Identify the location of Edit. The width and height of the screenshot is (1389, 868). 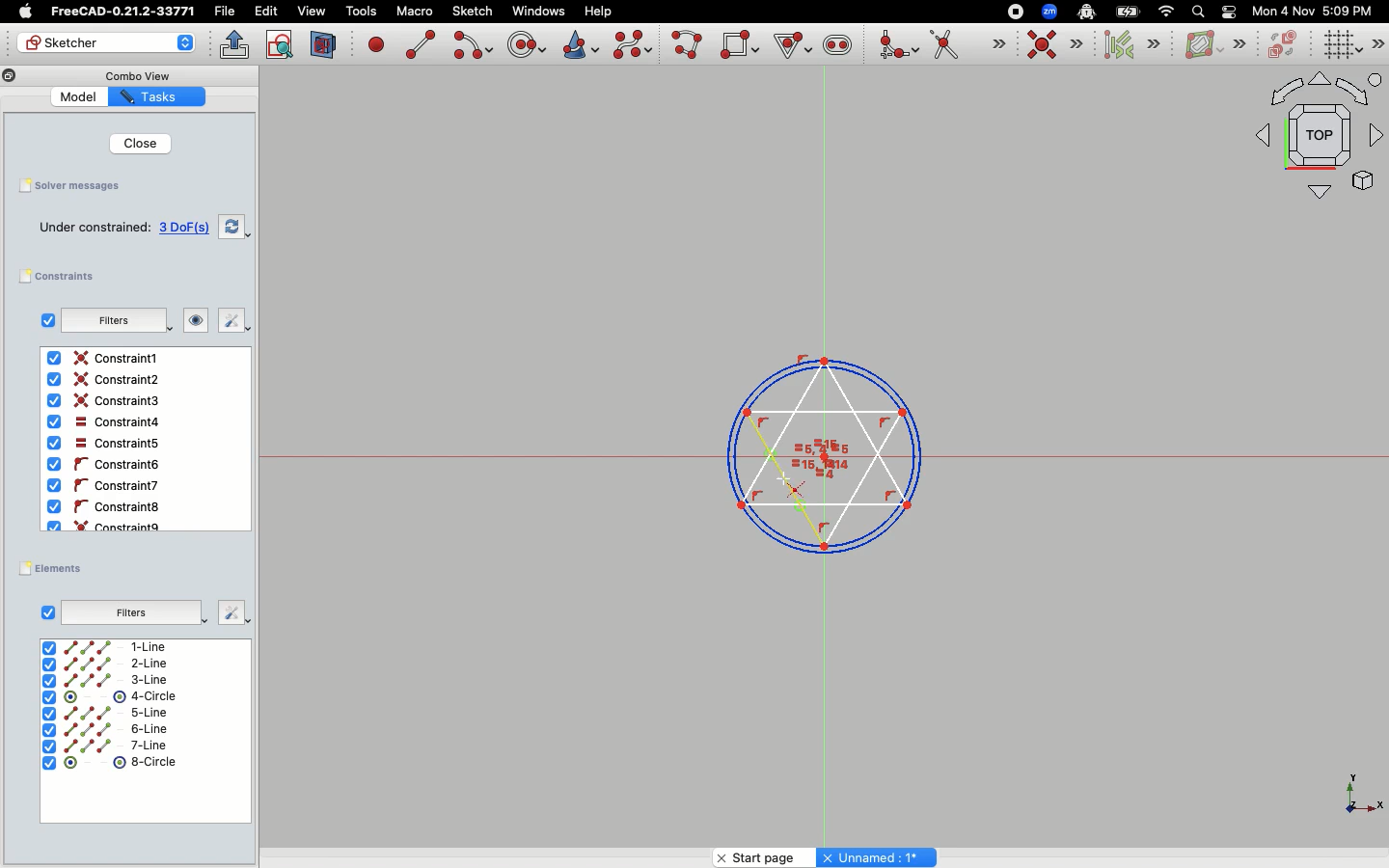
(266, 12).